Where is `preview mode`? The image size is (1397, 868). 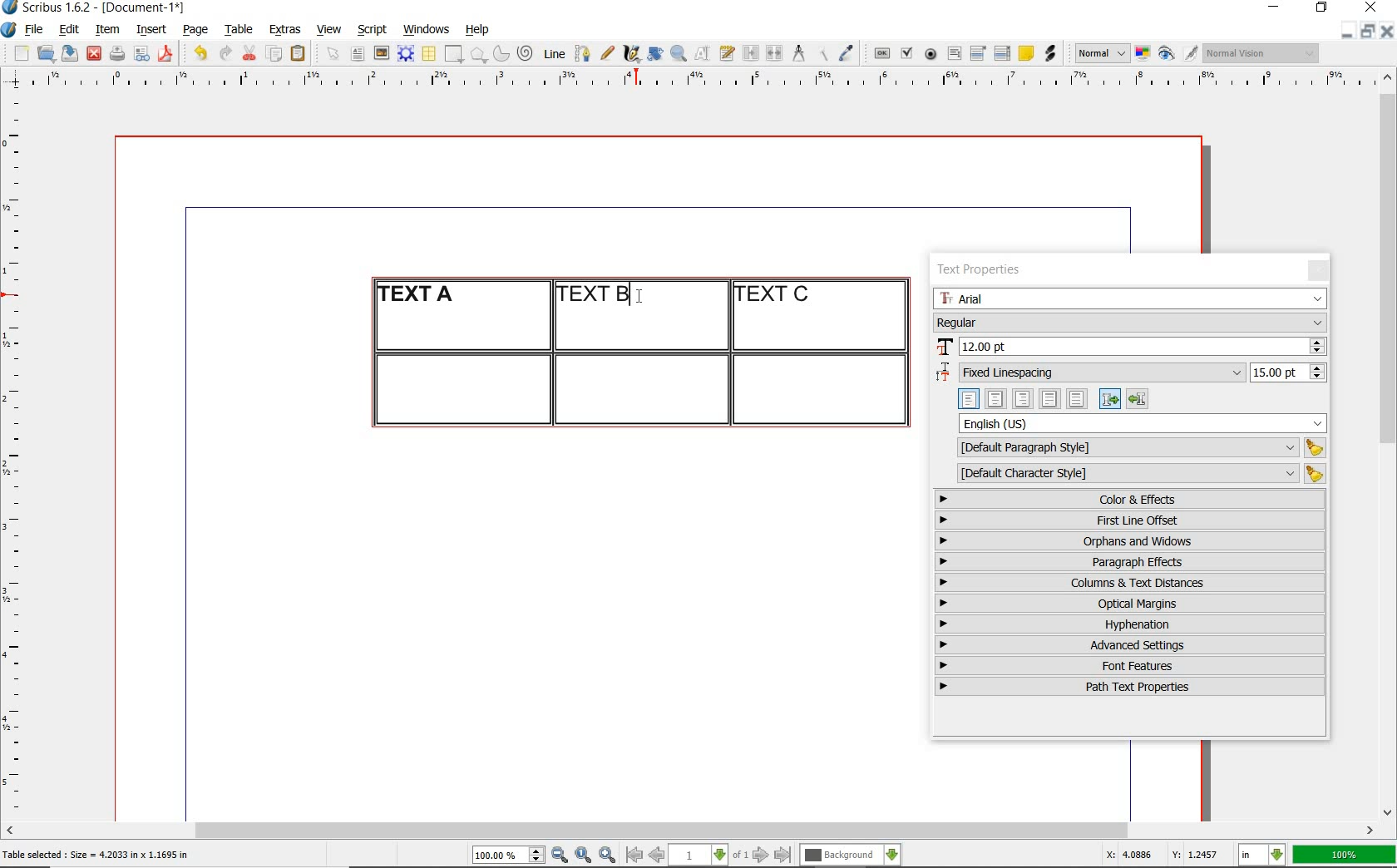
preview mode is located at coordinates (1178, 54).